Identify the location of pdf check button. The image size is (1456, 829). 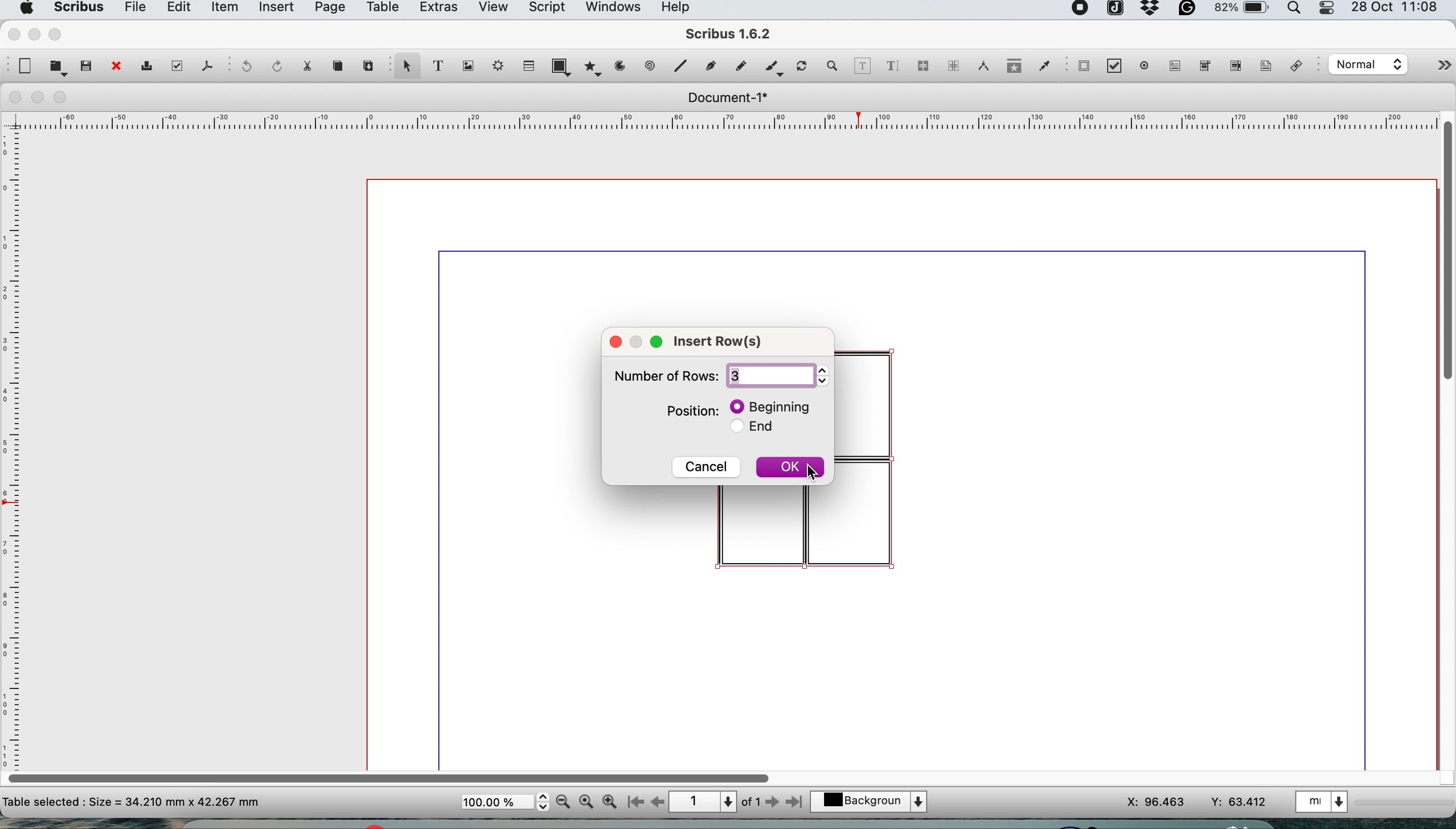
(1118, 67).